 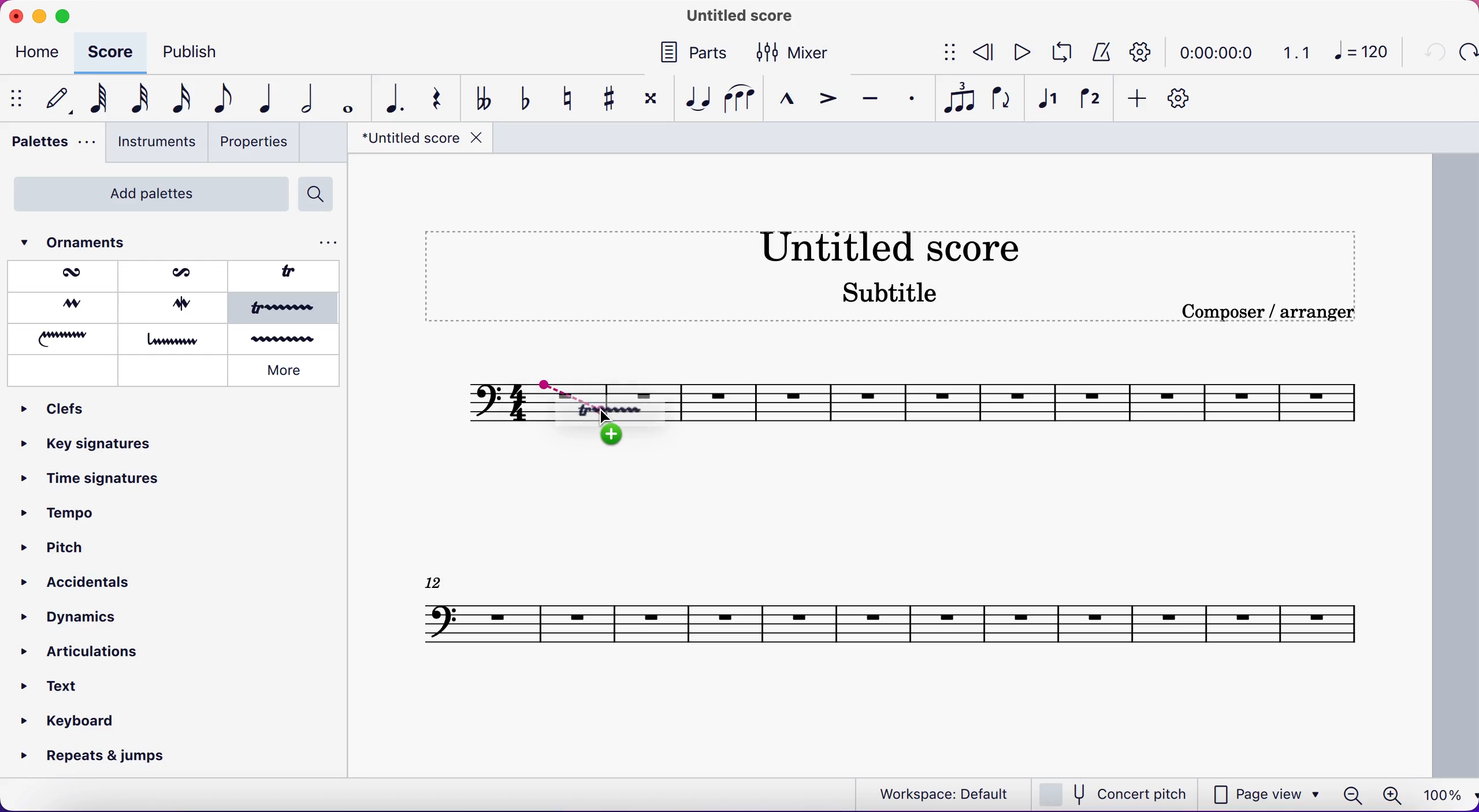 What do you see at coordinates (16, 99) in the screenshot?
I see `show/hide` at bounding box center [16, 99].